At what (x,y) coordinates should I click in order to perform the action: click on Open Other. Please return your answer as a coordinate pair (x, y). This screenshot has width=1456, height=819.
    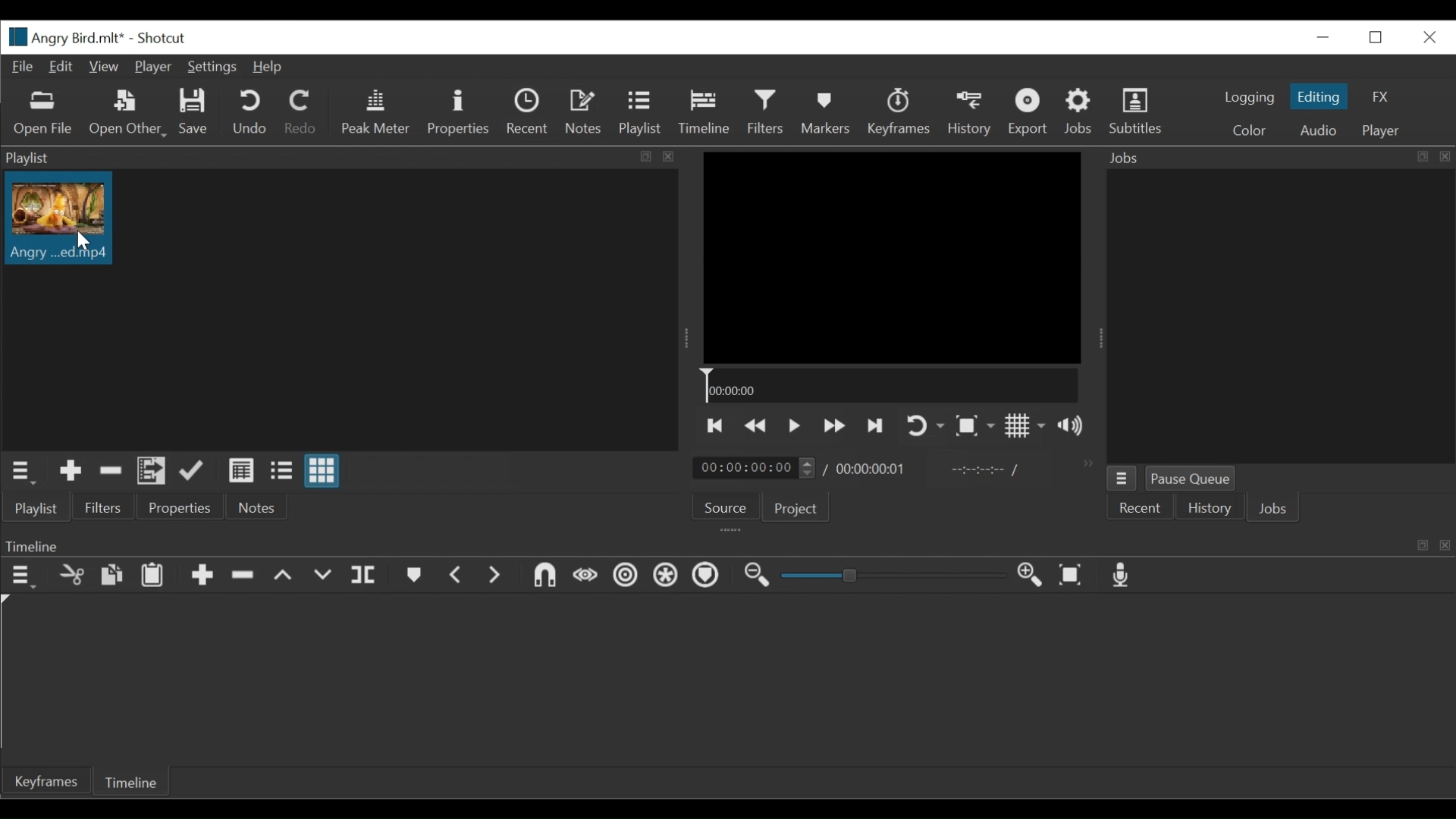
    Looking at the image, I should click on (128, 115).